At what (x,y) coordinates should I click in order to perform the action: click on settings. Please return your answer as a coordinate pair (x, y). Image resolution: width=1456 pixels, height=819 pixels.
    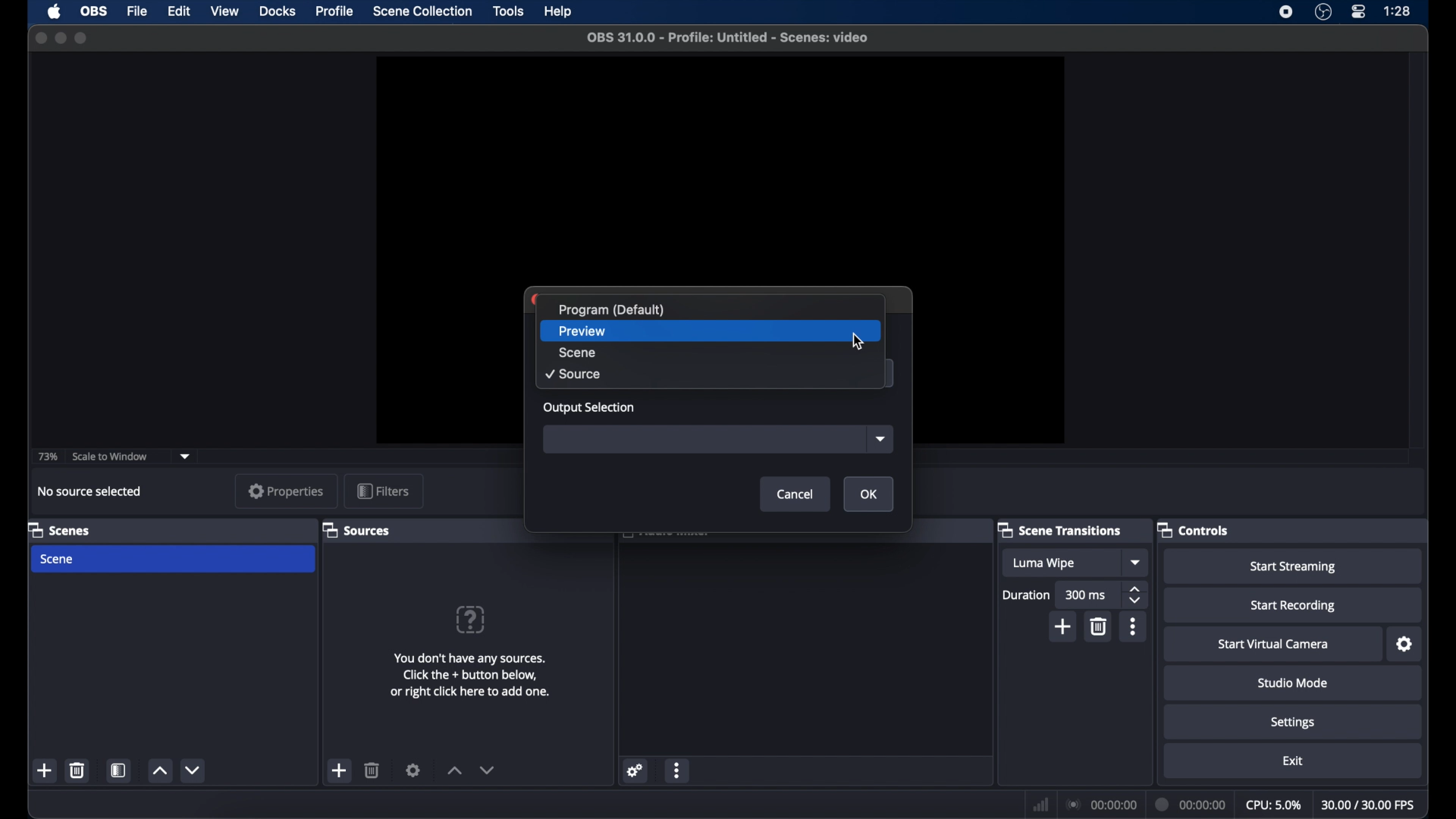
    Looking at the image, I should click on (1293, 722).